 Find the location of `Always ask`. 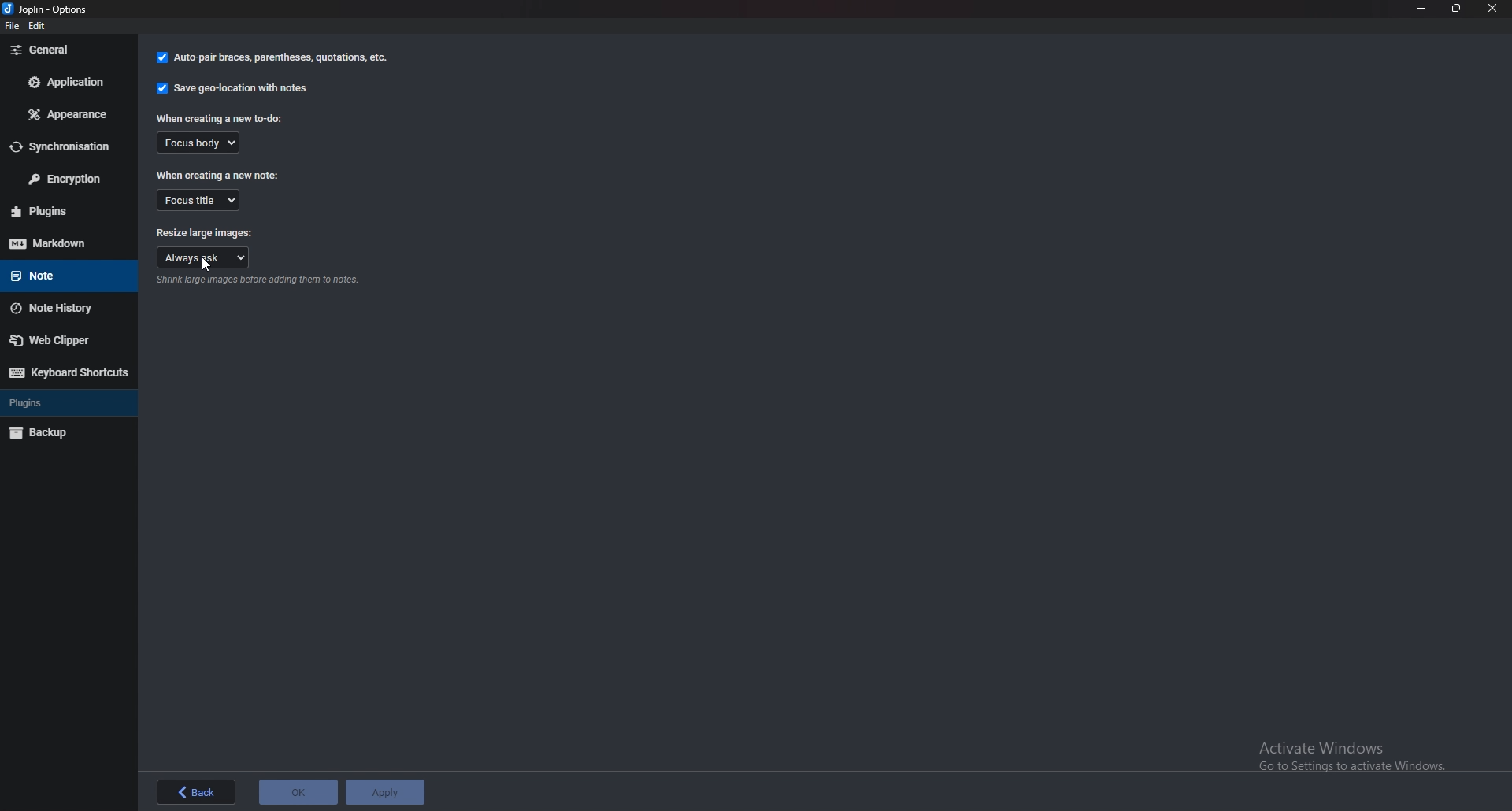

Always ask is located at coordinates (200, 257).